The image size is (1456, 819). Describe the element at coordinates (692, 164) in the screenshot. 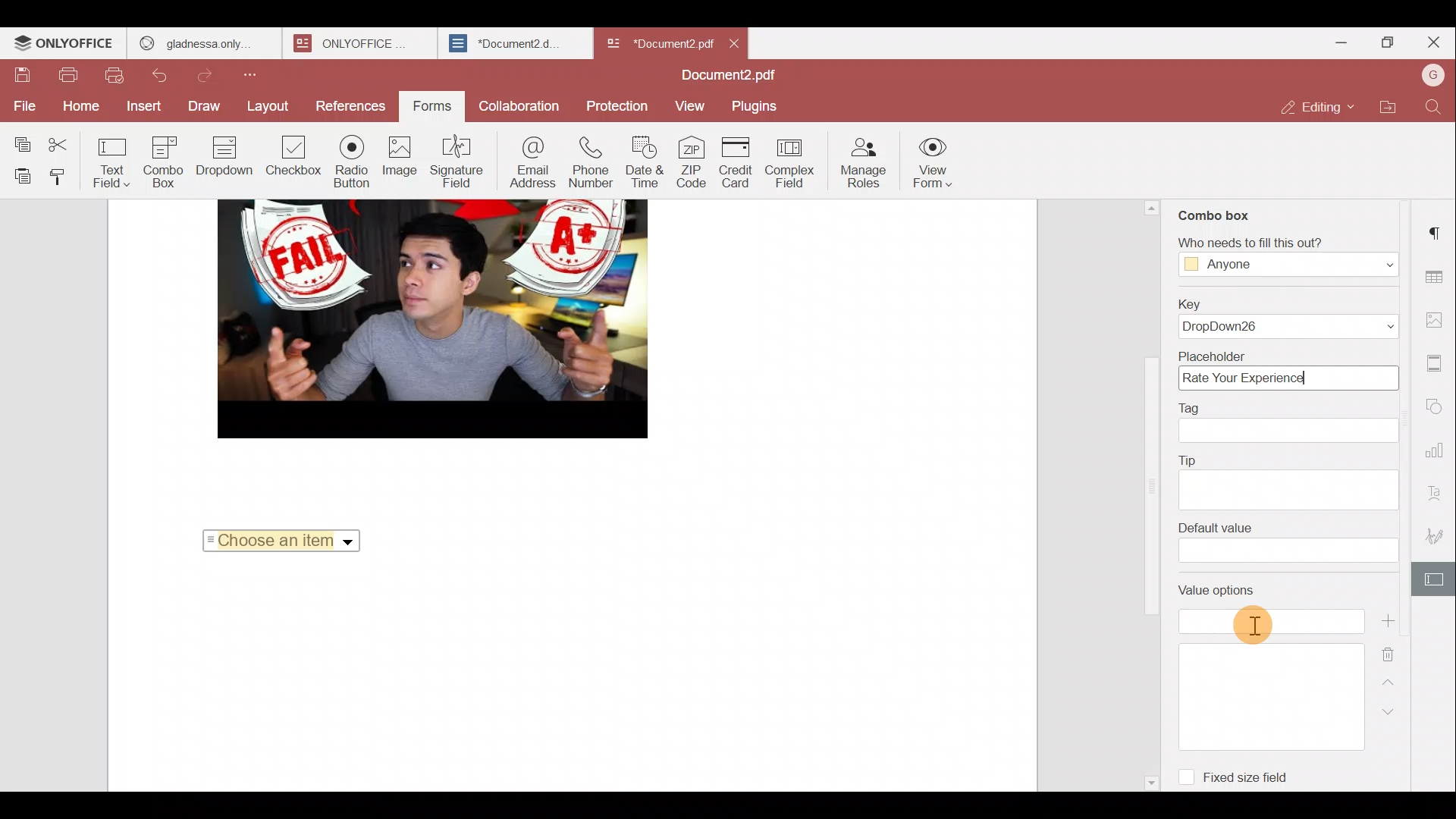

I see `ZIP code` at that location.